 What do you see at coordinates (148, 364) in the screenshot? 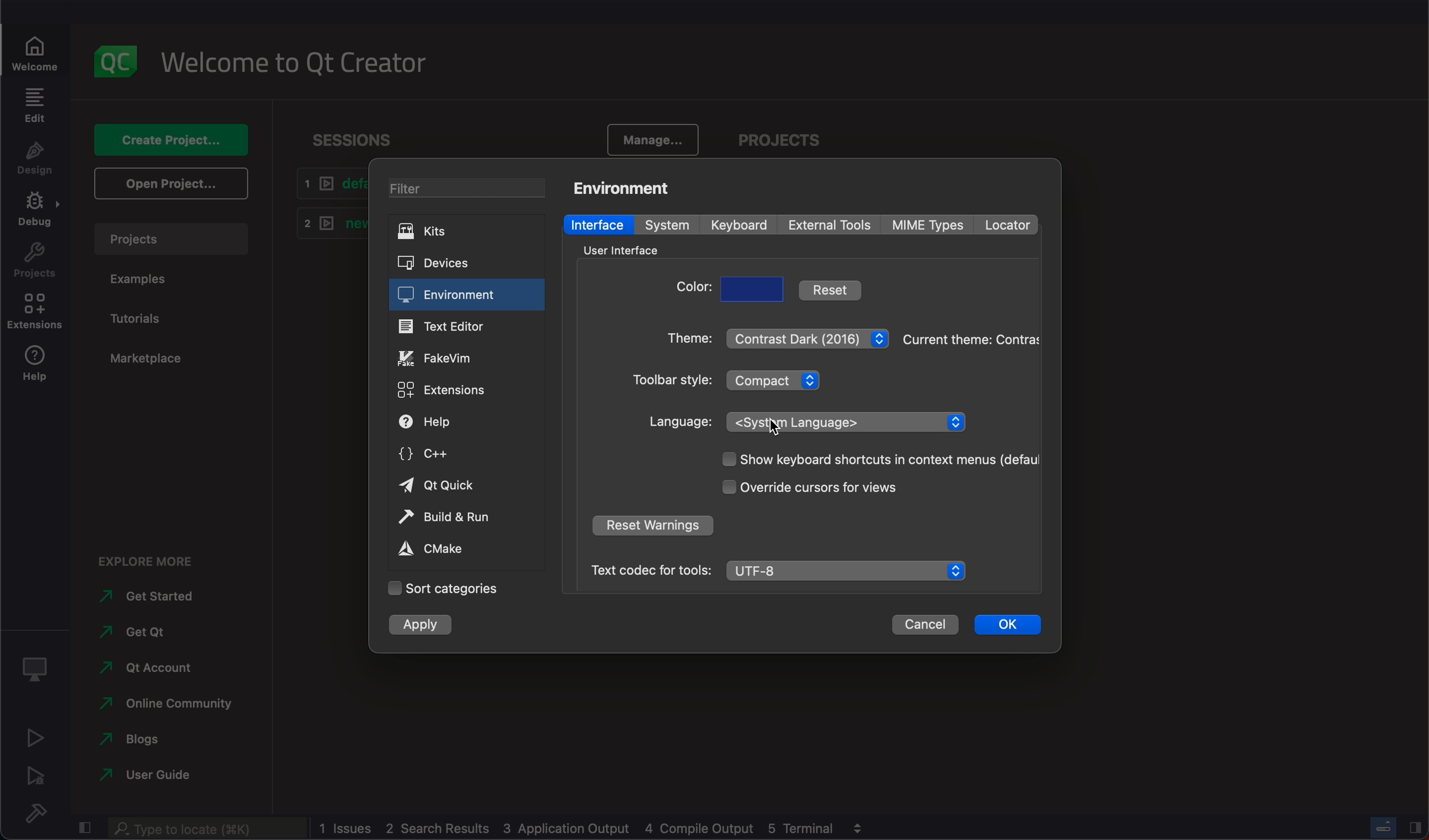
I see `marketplace` at bounding box center [148, 364].